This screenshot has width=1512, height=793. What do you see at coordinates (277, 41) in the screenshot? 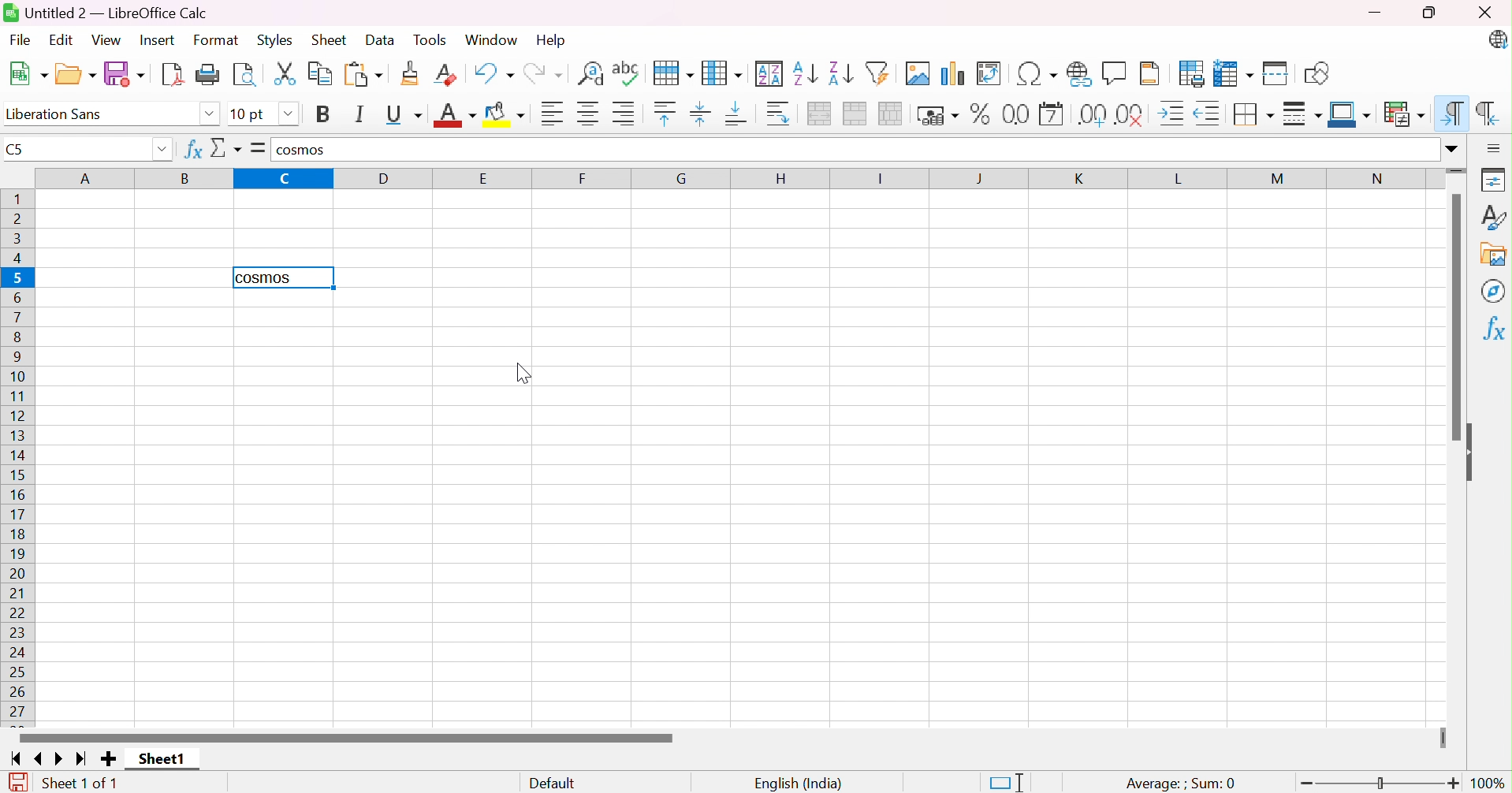
I see `Styles` at bounding box center [277, 41].